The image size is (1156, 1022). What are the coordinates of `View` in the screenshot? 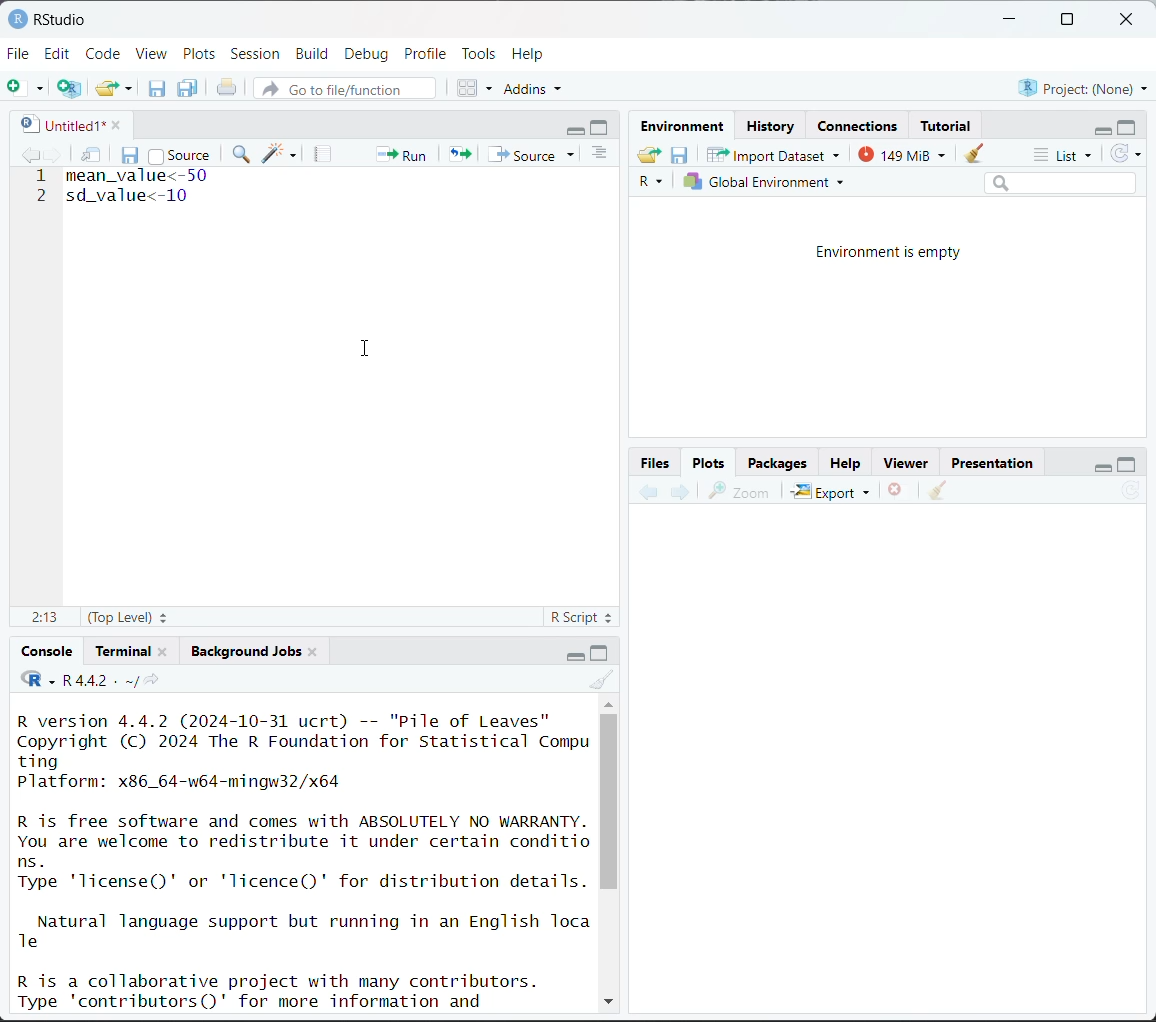 It's located at (152, 55).